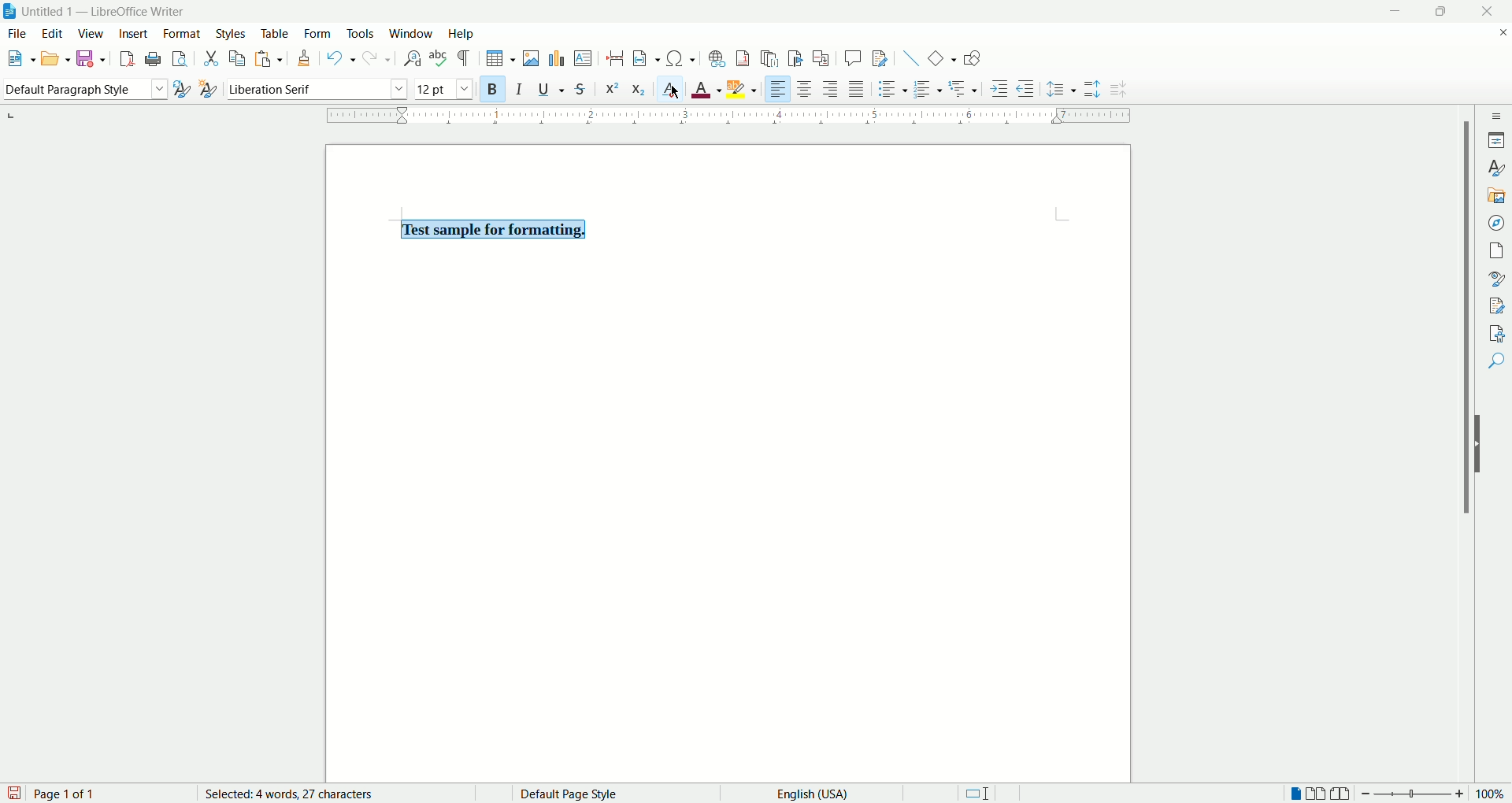 Image resolution: width=1512 pixels, height=803 pixels. What do you see at coordinates (133, 35) in the screenshot?
I see `insert` at bounding box center [133, 35].